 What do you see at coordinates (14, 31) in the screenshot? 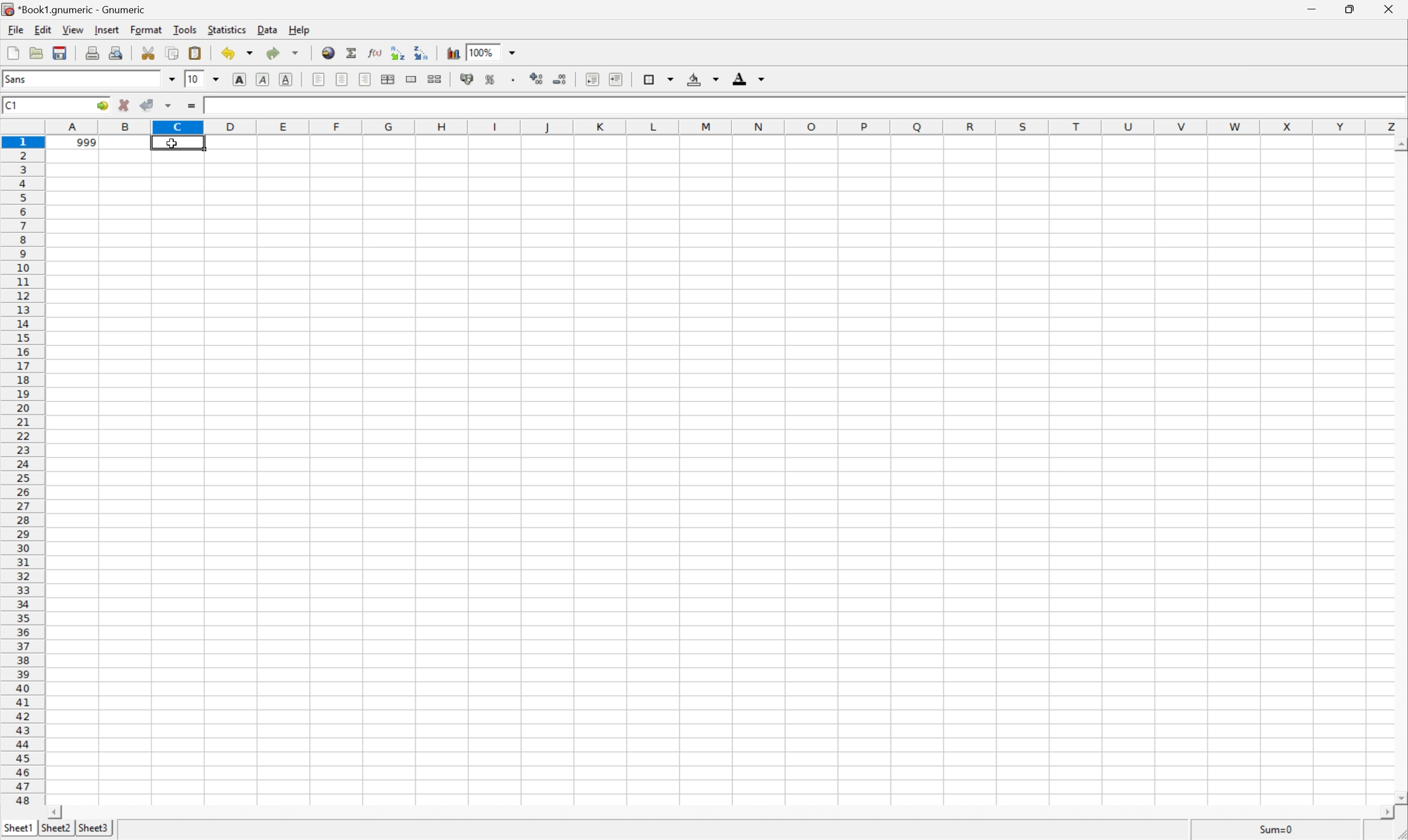
I see `file` at bounding box center [14, 31].